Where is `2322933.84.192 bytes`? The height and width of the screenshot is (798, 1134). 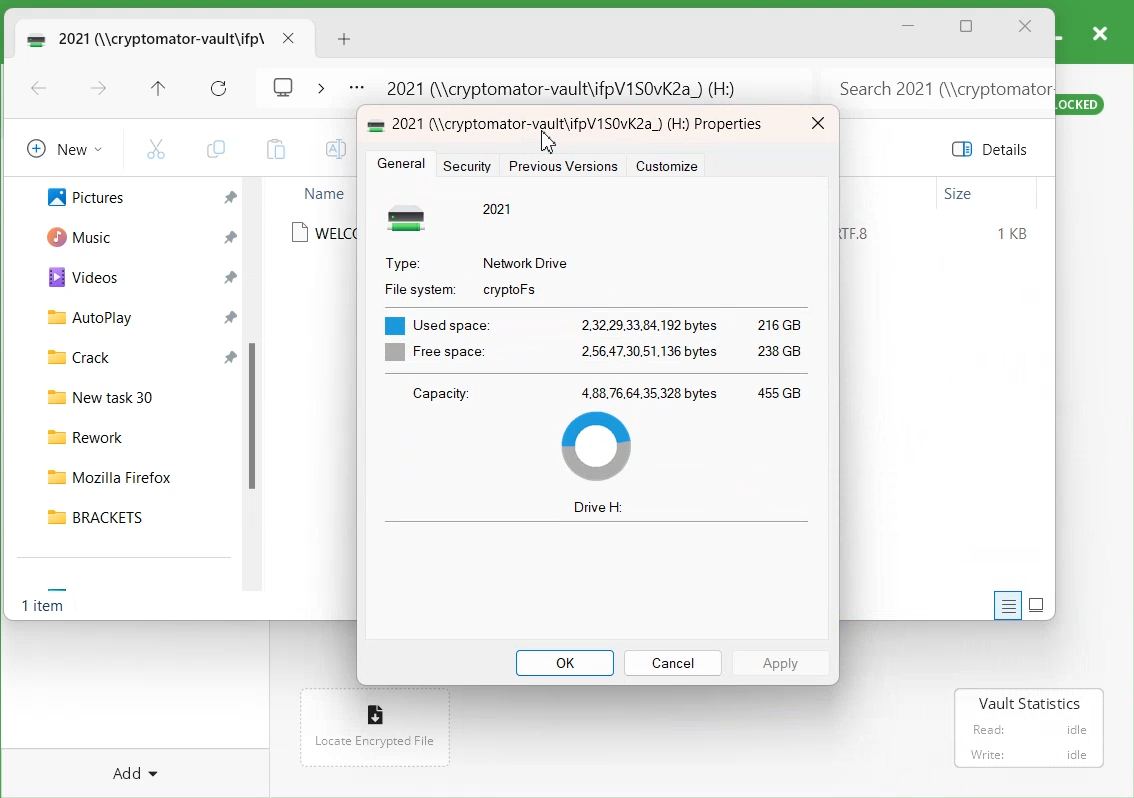 2322933.84.192 bytes is located at coordinates (648, 322).